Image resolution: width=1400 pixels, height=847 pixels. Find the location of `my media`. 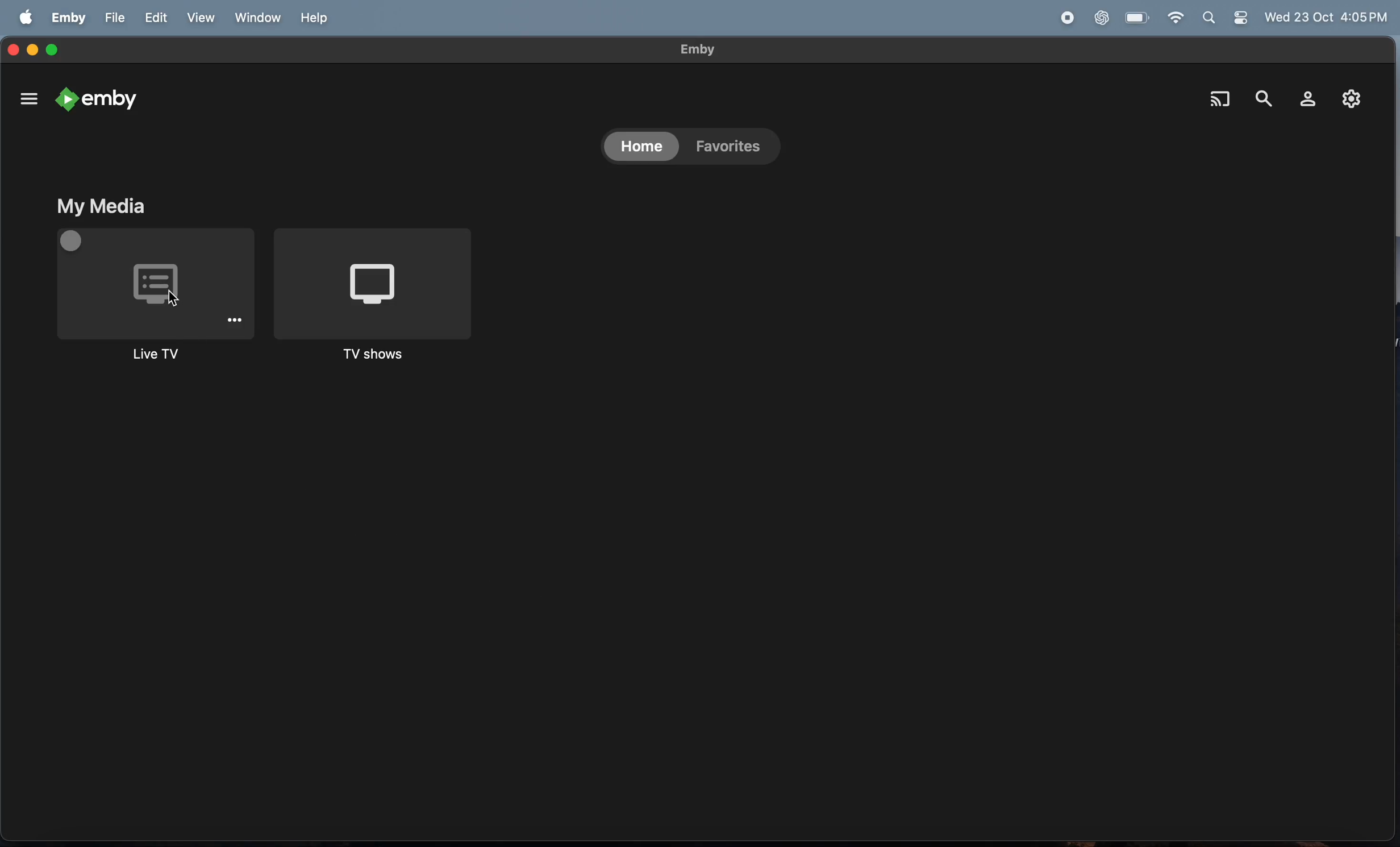

my media is located at coordinates (100, 206).